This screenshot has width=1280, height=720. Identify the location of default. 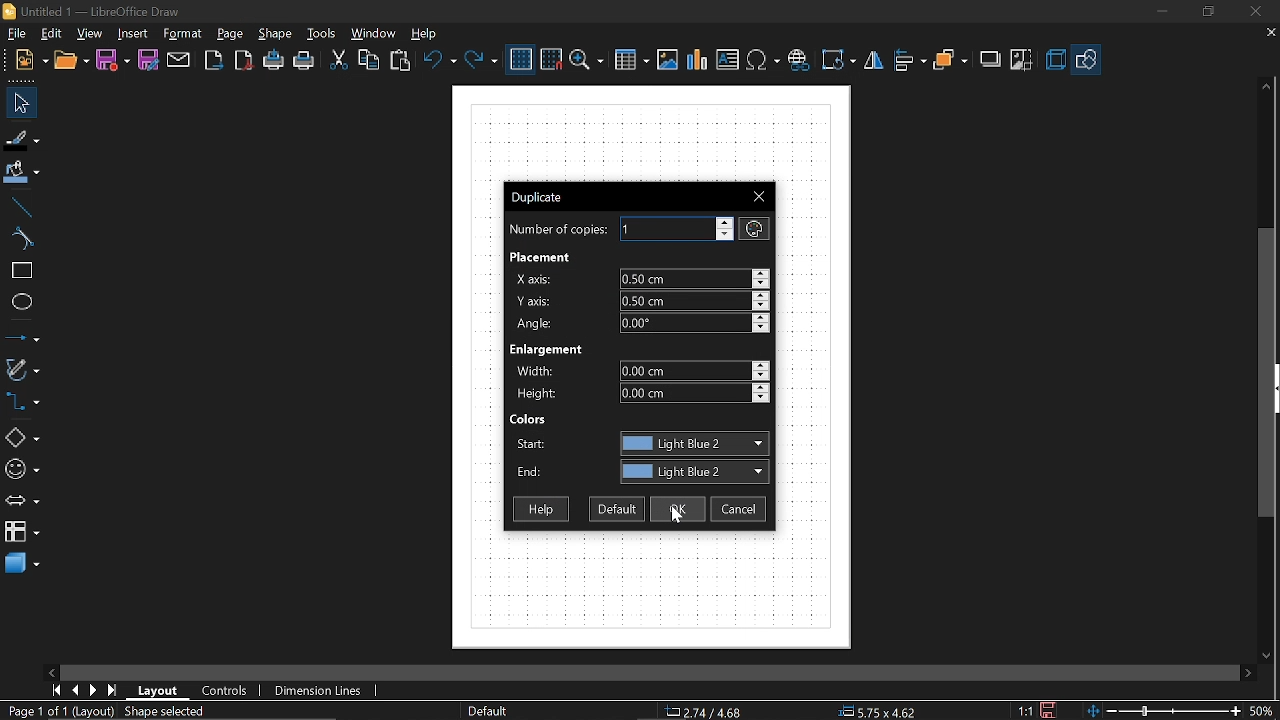
(617, 510).